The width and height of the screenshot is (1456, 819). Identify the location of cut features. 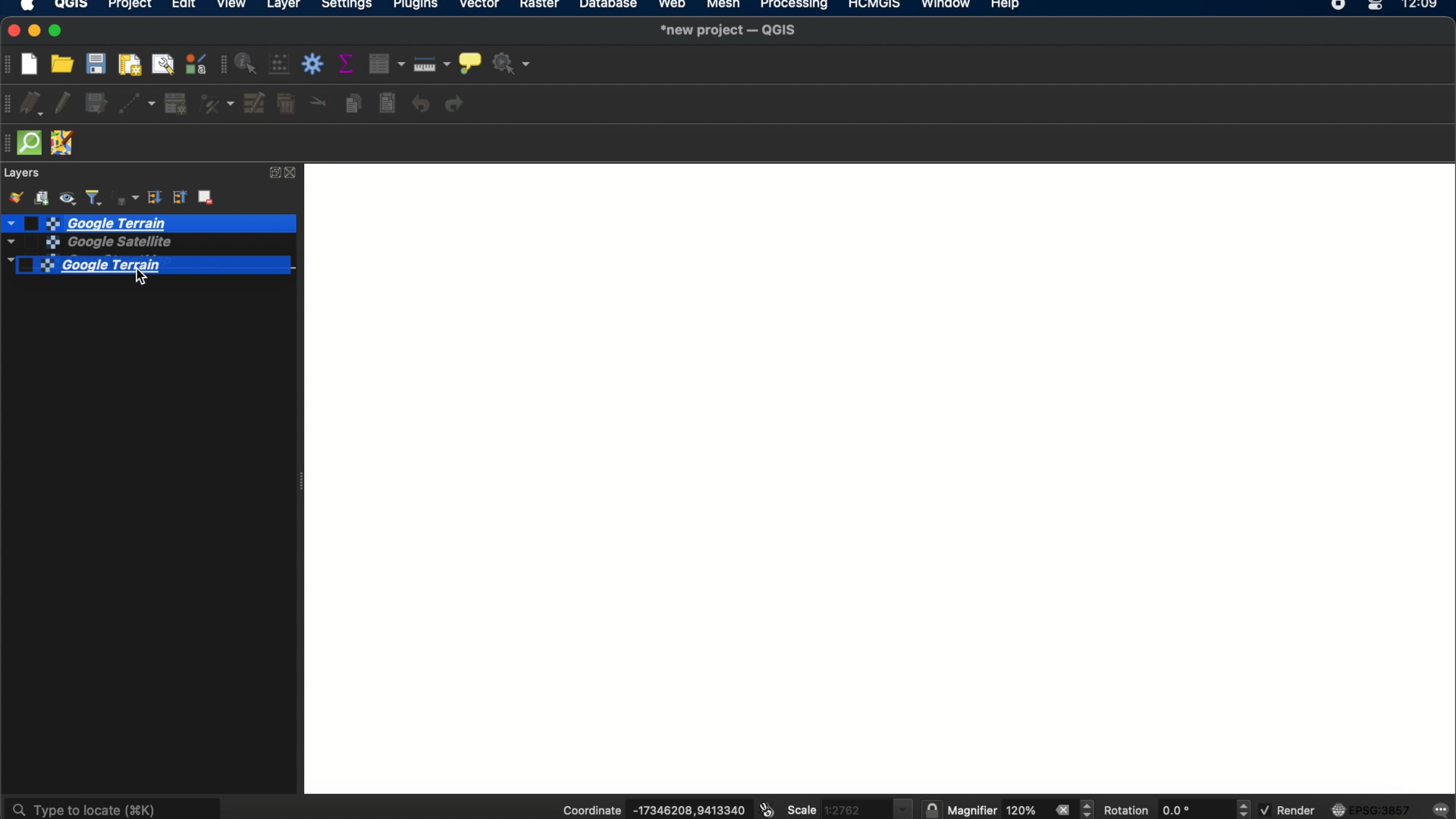
(318, 102).